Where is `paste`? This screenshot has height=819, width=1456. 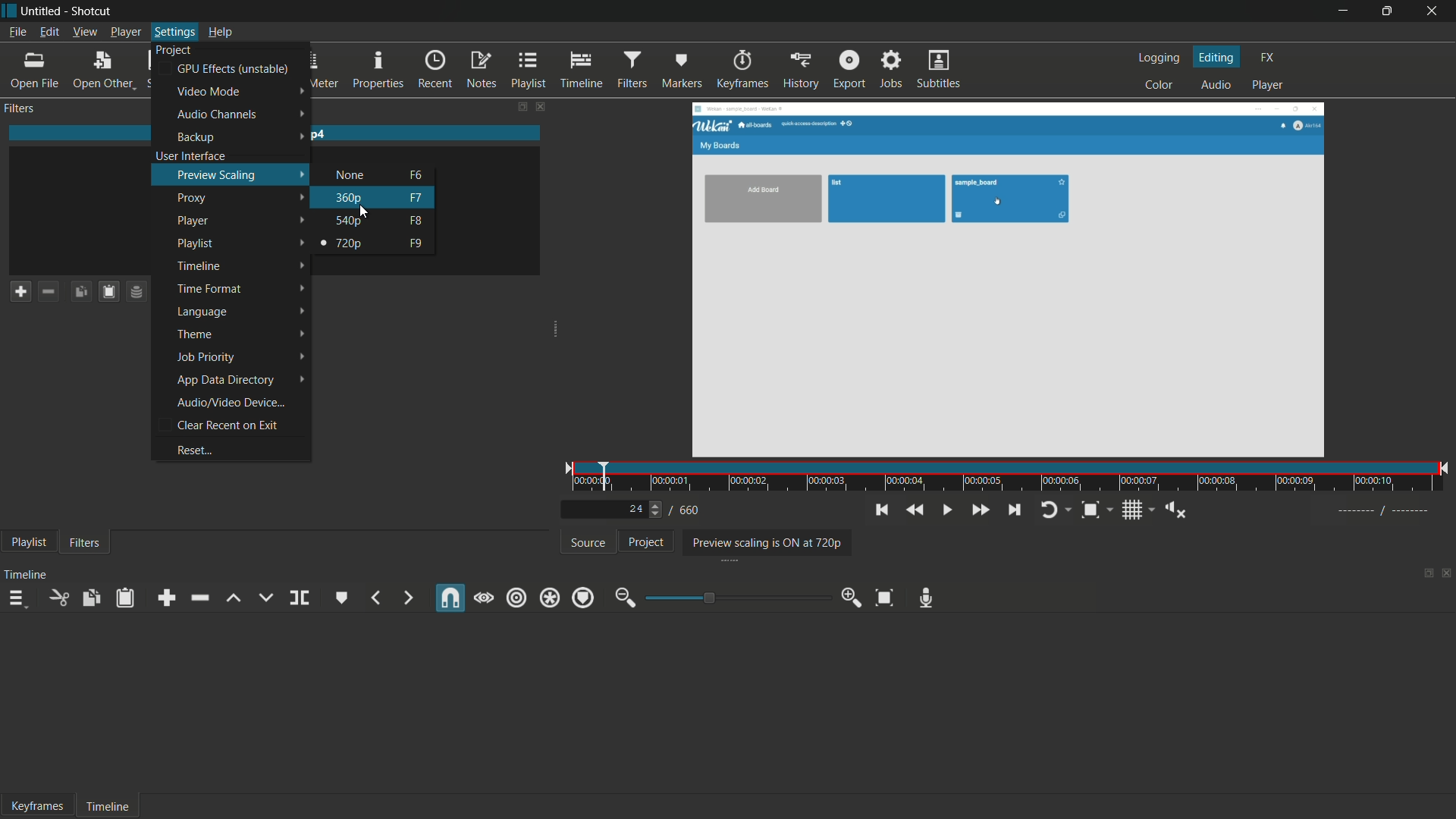
paste is located at coordinates (126, 598).